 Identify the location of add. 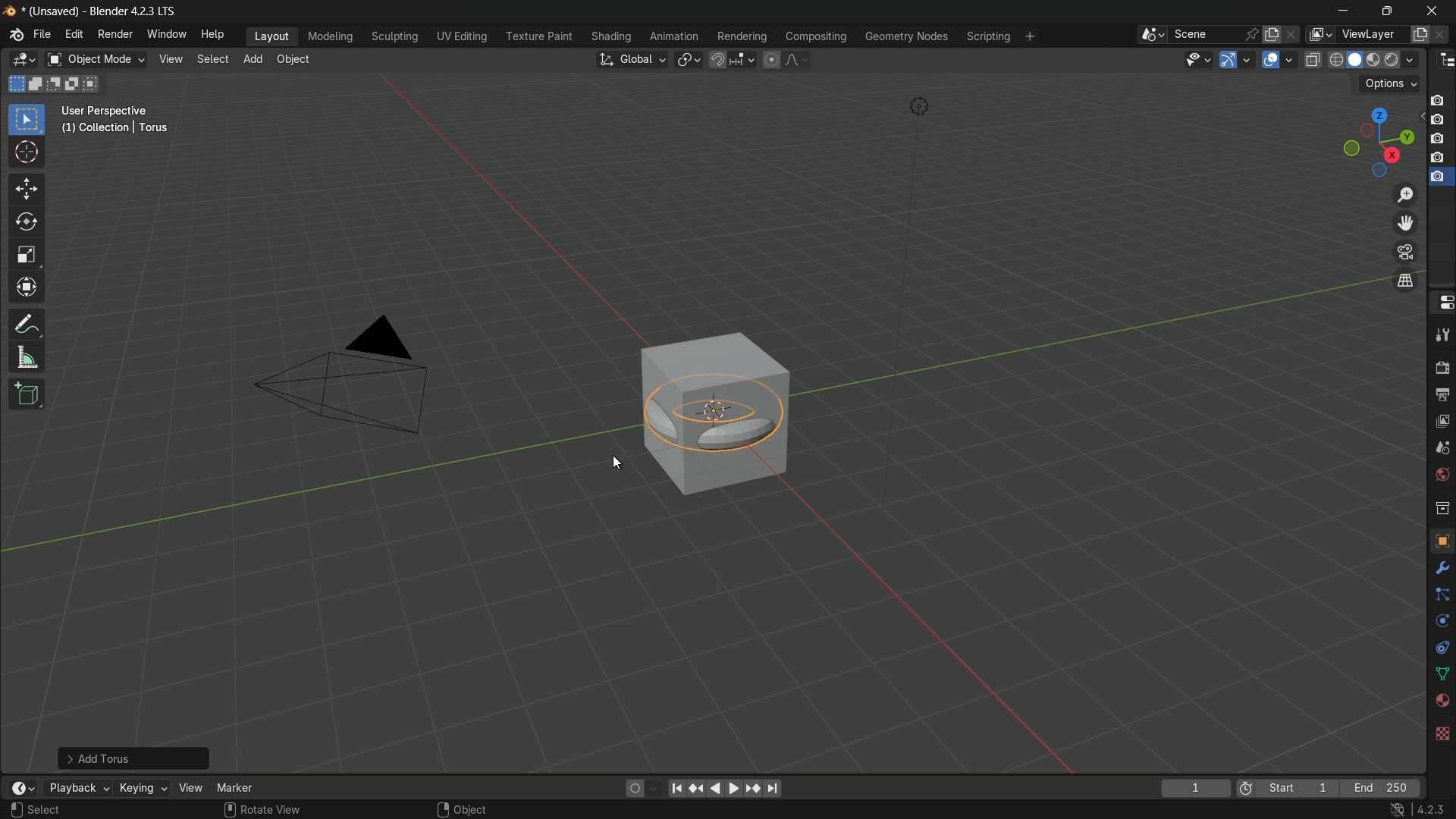
(253, 58).